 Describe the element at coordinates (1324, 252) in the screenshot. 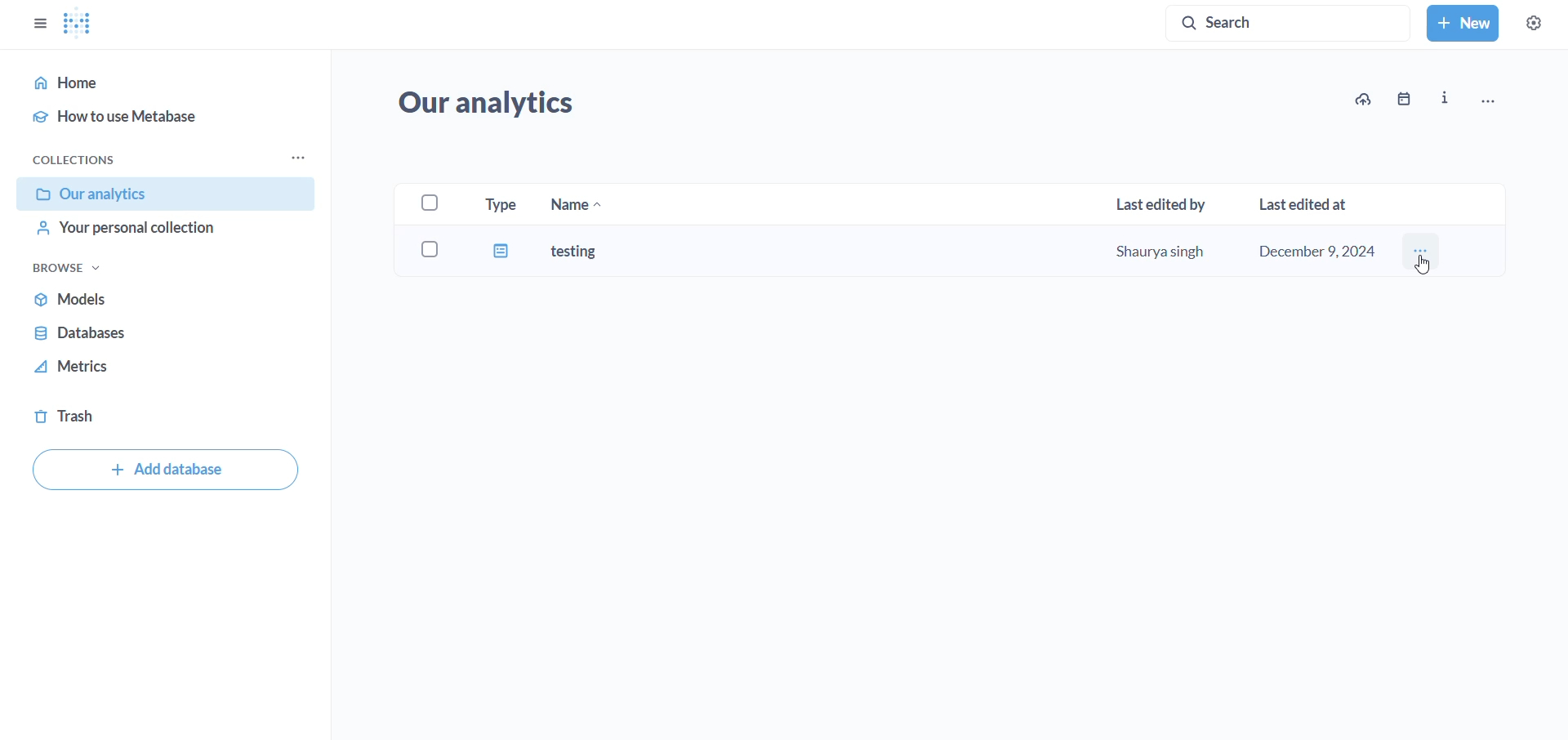

I see `December 9, 2024` at that location.